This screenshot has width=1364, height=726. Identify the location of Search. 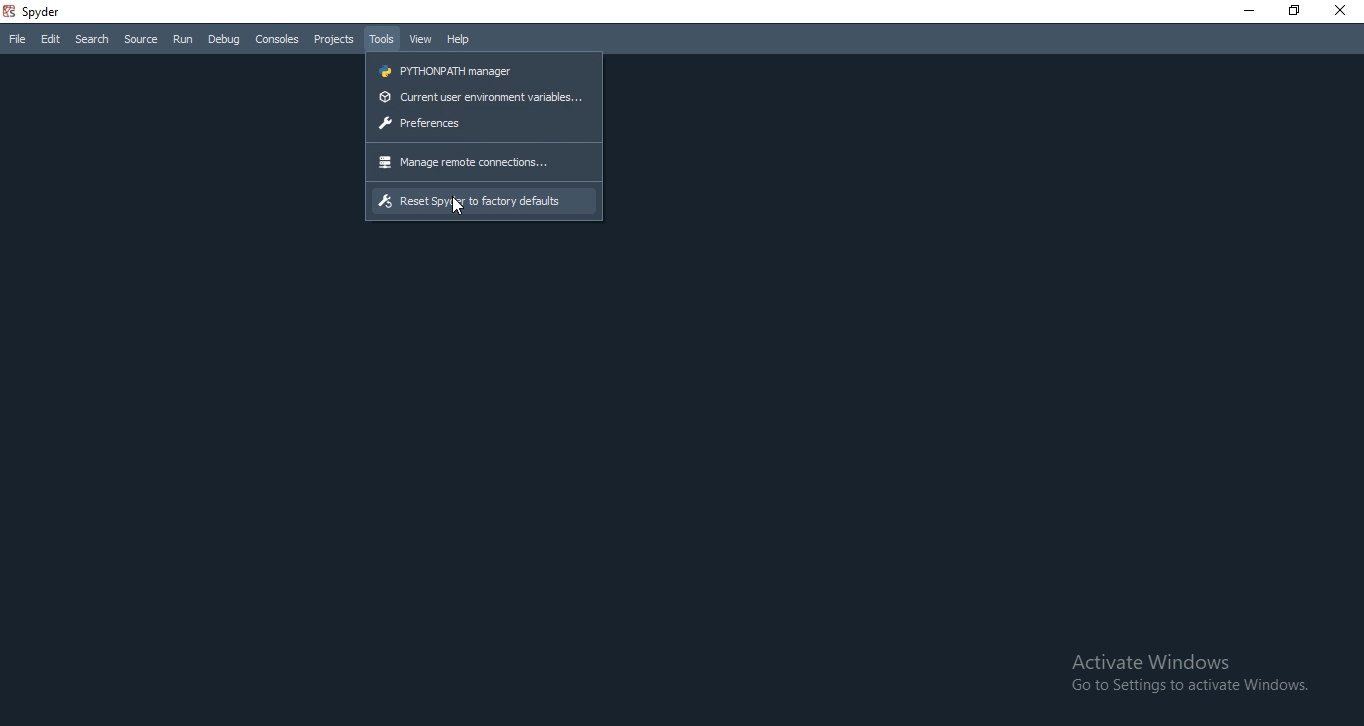
(93, 37).